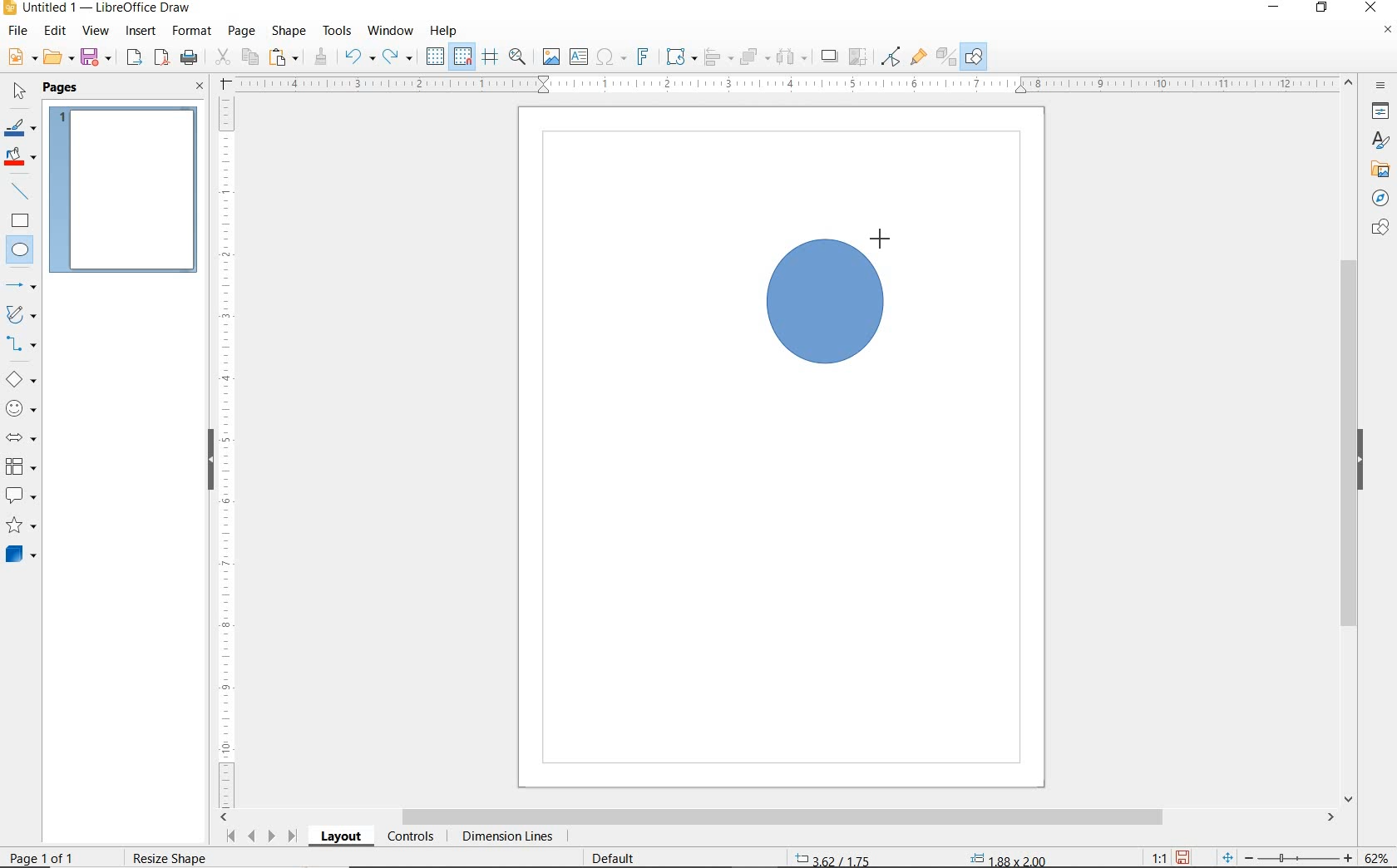  I want to click on CONTROLS, so click(412, 838).